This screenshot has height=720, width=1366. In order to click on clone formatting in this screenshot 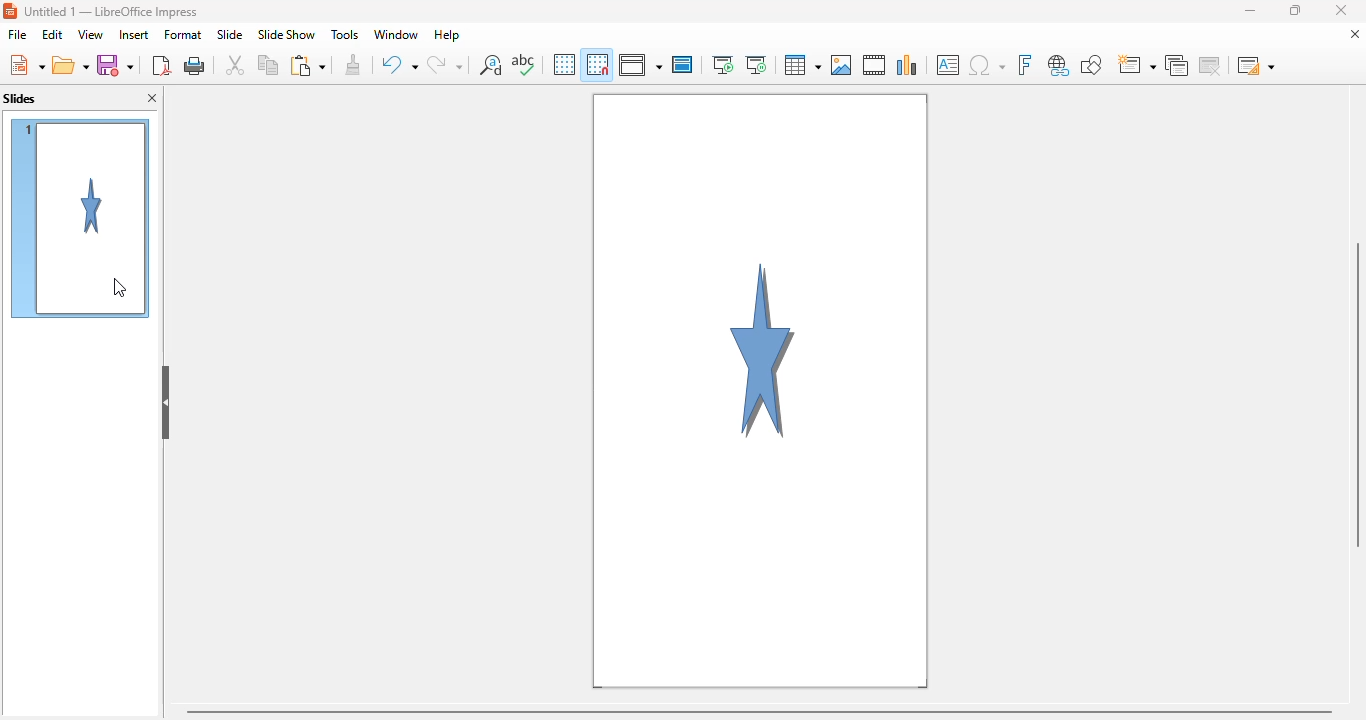, I will do `click(353, 65)`.